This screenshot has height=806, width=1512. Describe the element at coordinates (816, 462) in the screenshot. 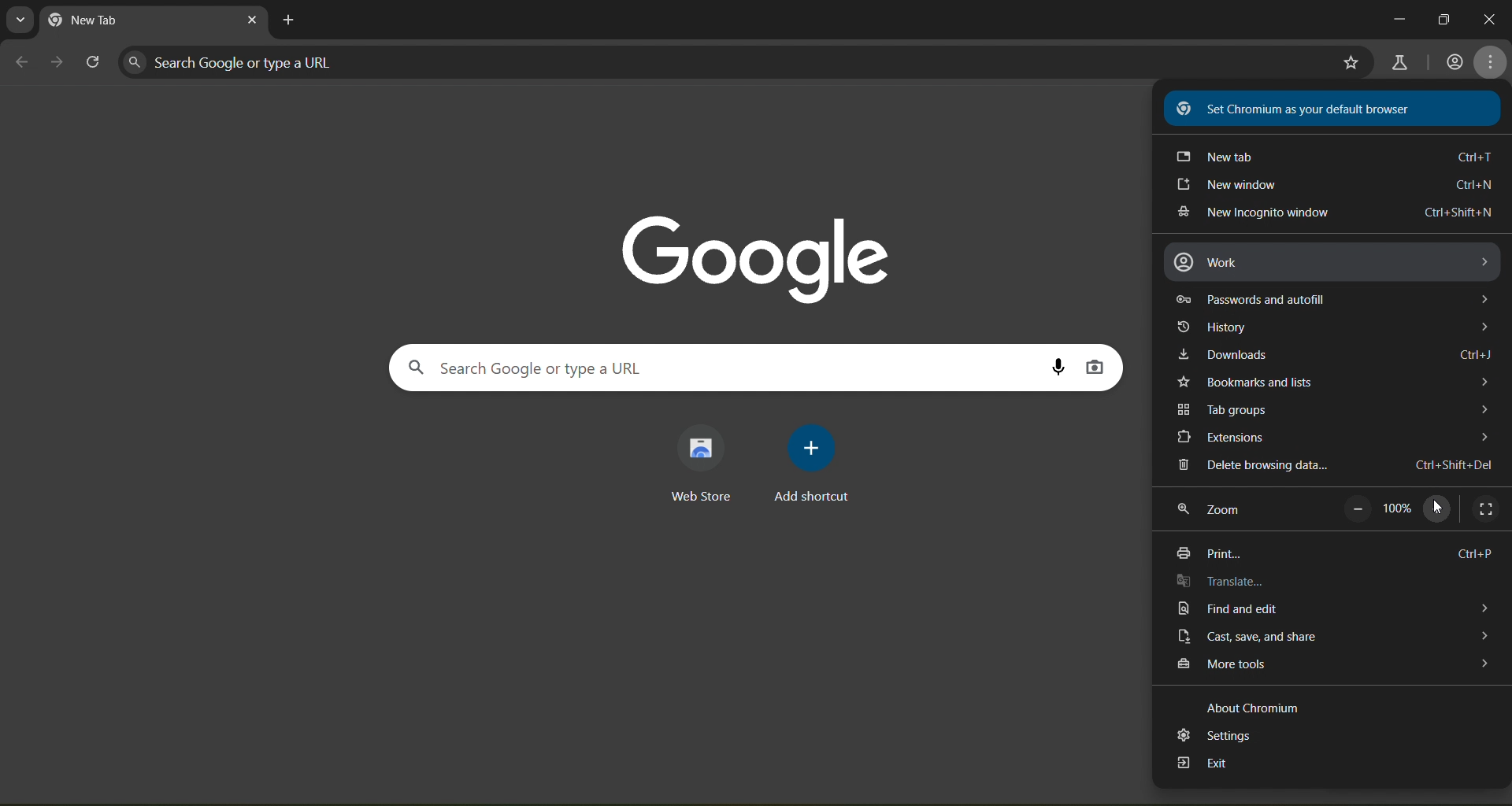

I see `add shortcut` at that location.